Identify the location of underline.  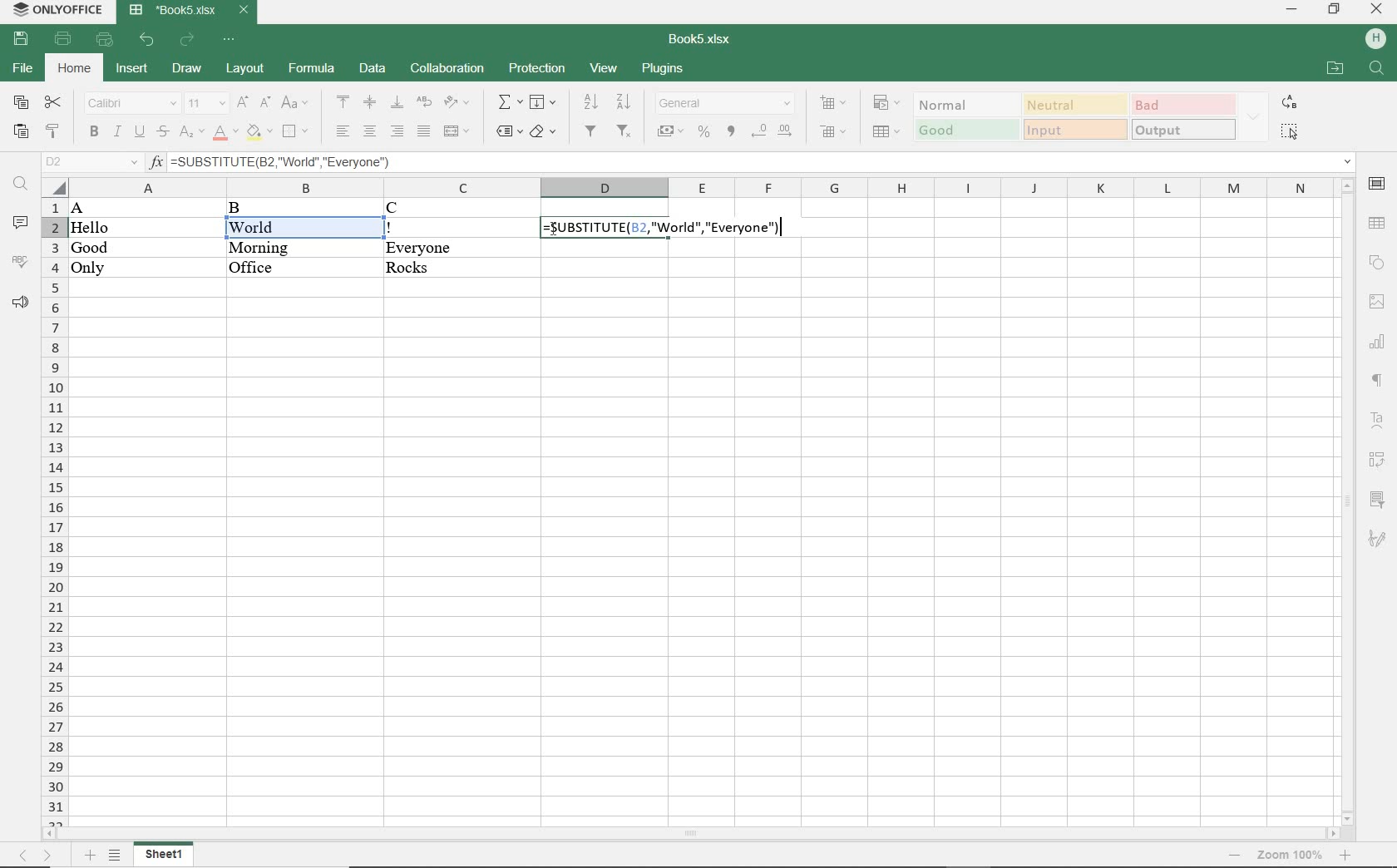
(140, 134).